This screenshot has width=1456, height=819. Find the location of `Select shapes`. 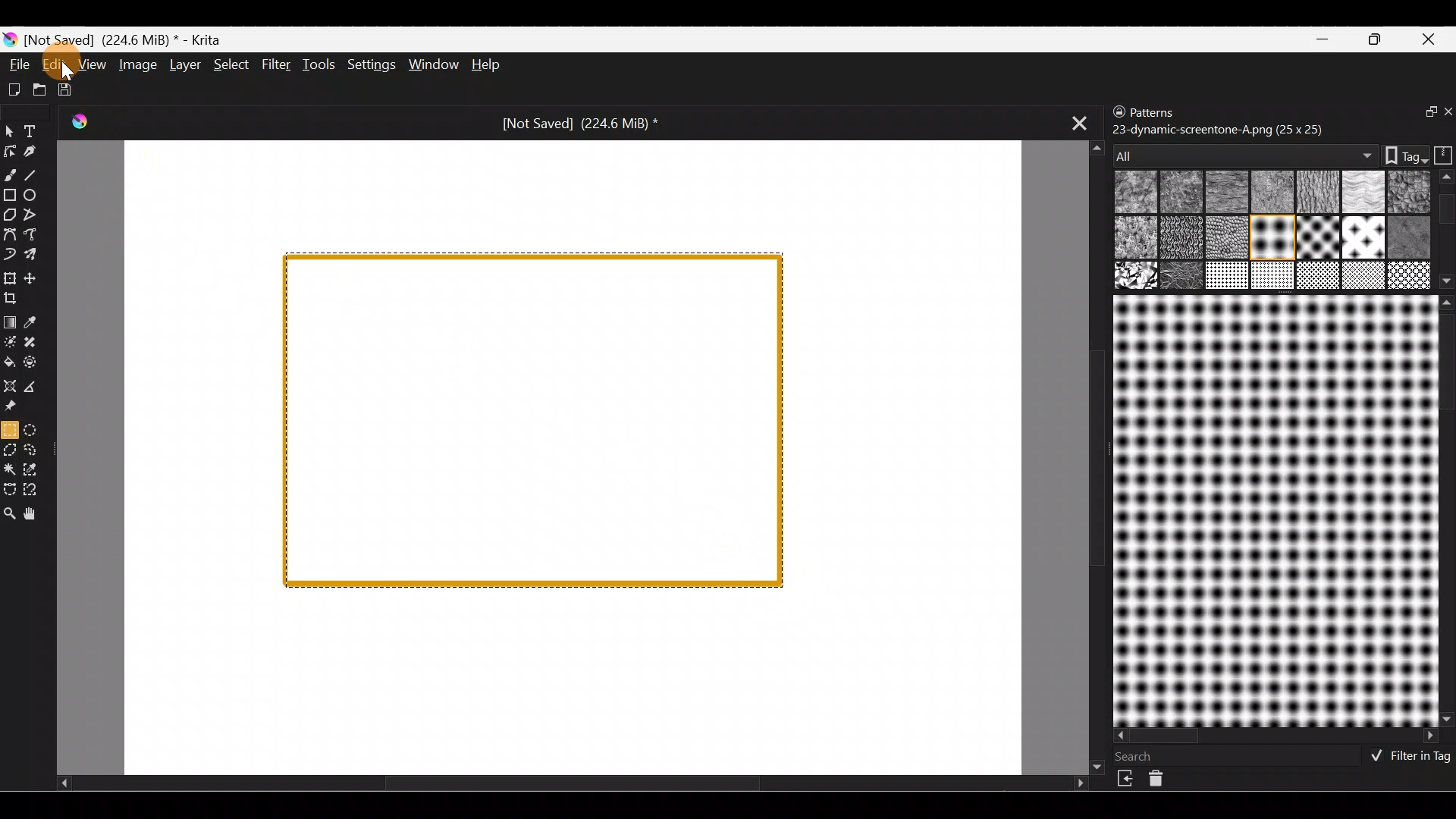

Select shapes is located at coordinates (9, 132).